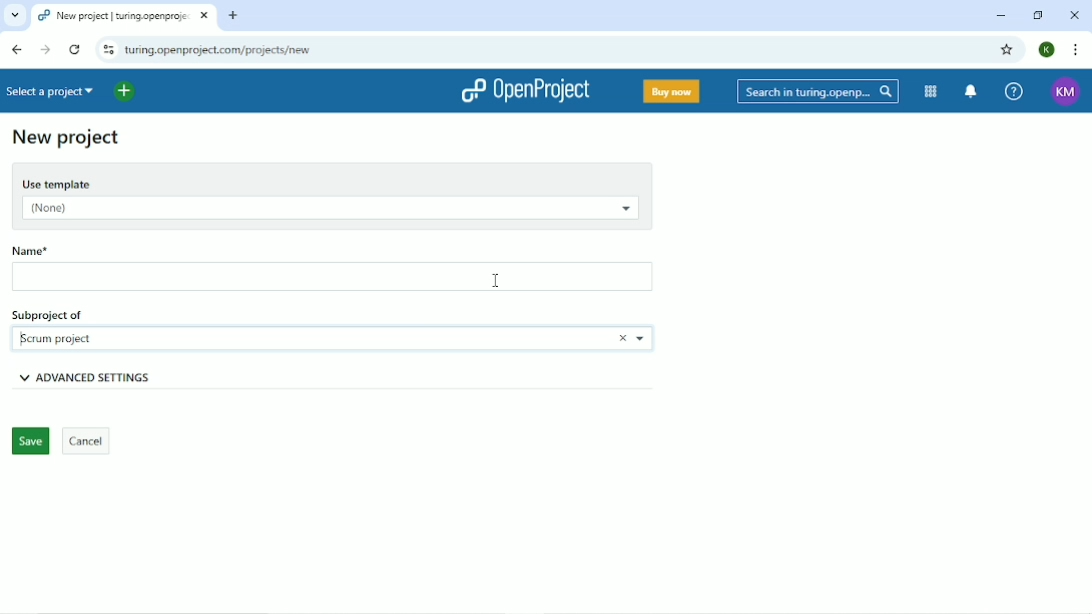 The image size is (1092, 614). I want to click on Subproject of, so click(77, 313).